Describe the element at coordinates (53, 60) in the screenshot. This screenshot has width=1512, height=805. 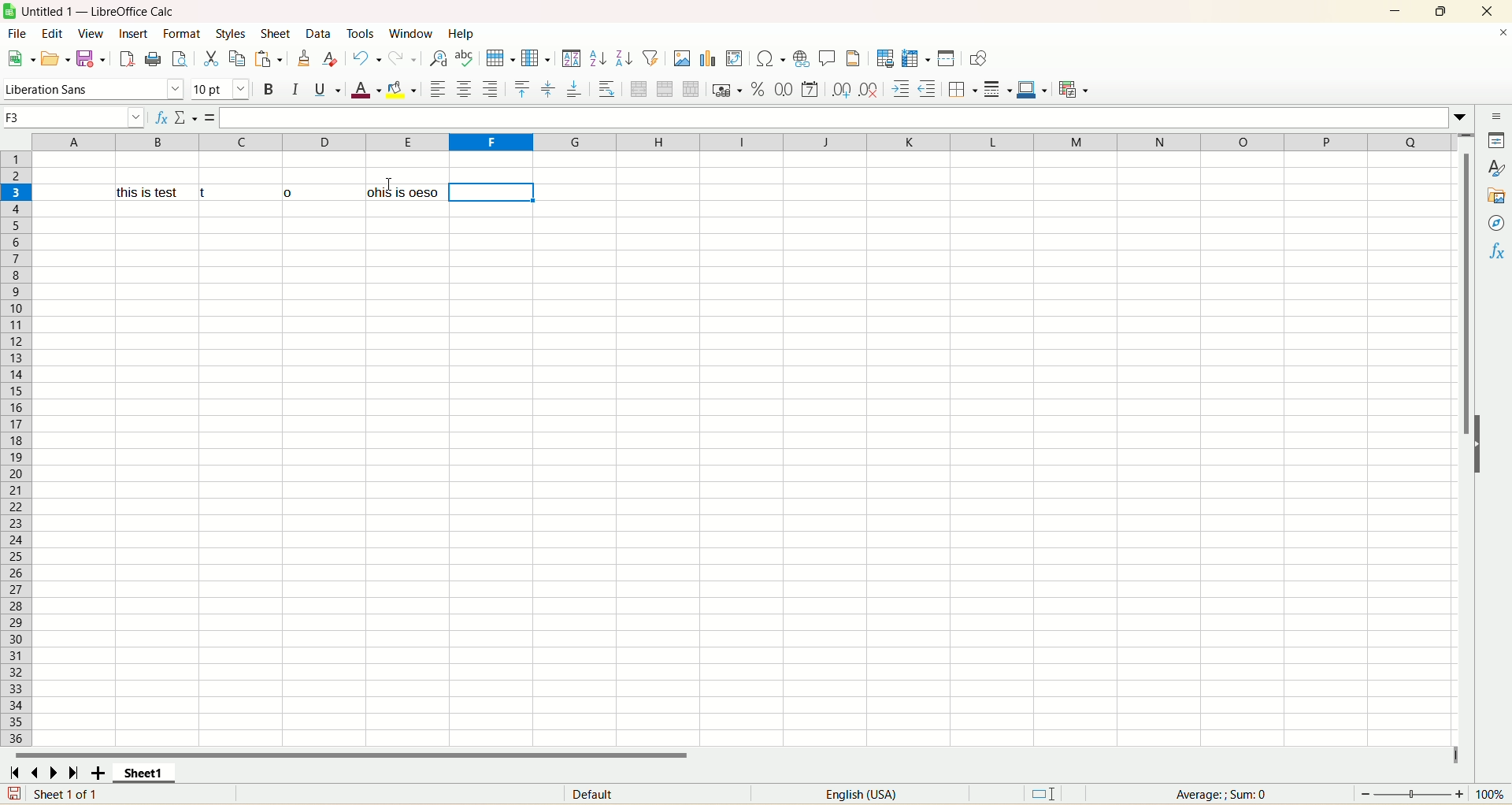
I see `open` at that location.